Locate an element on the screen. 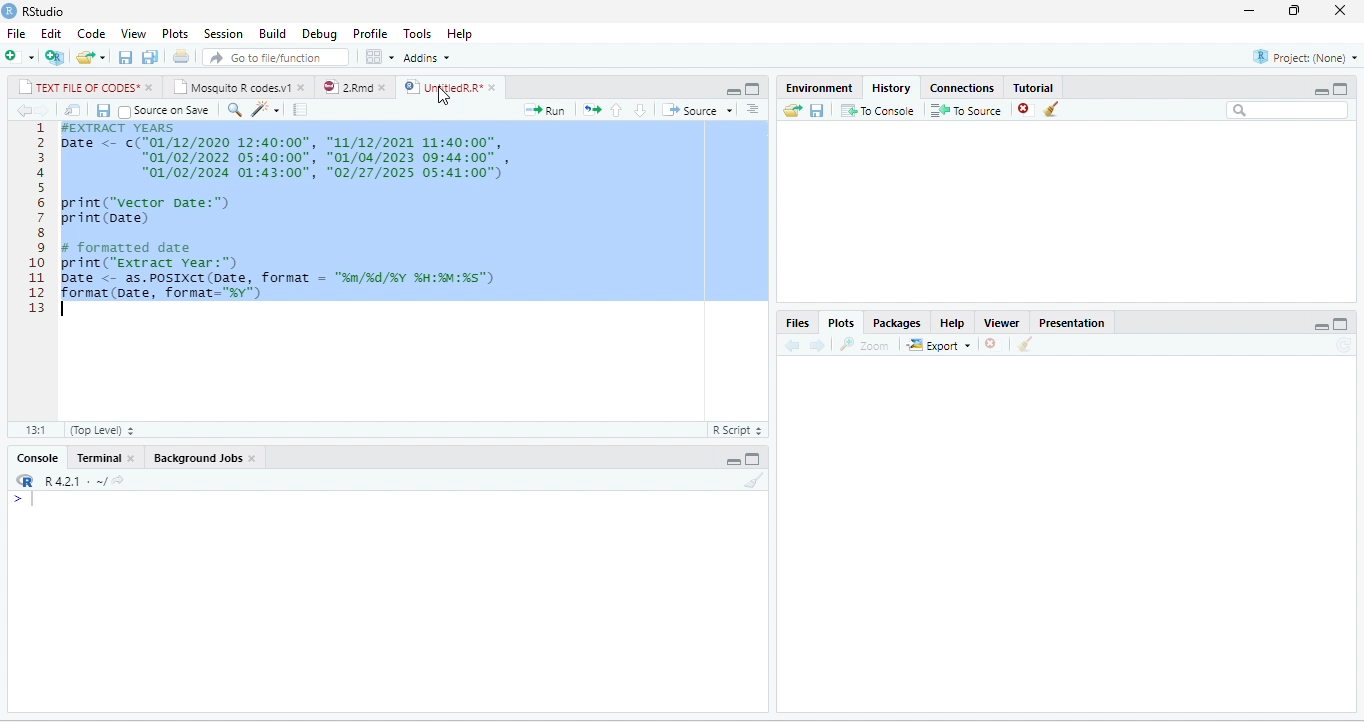 The height and width of the screenshot is (722, 1364). print is located at coordinates (180, 56).